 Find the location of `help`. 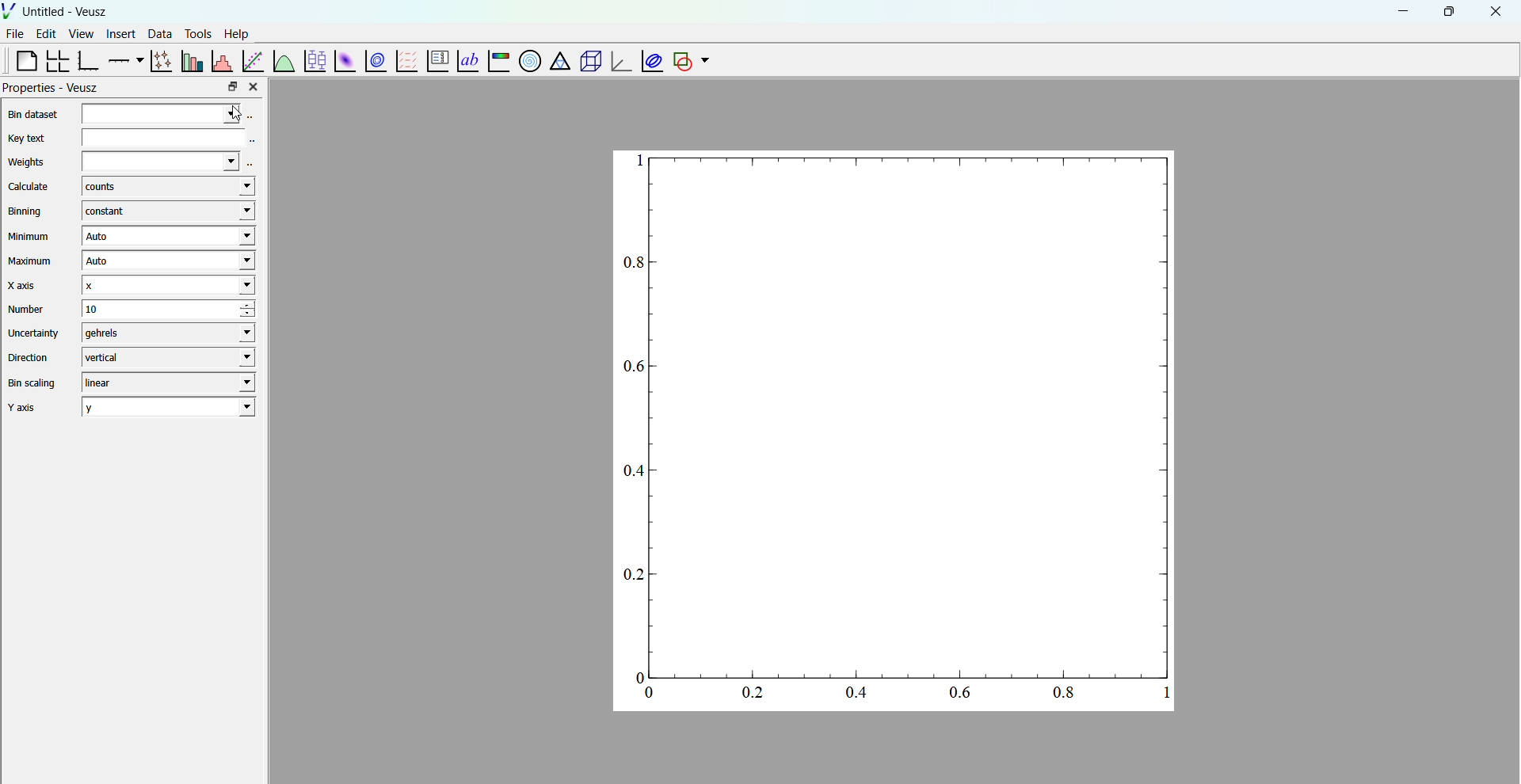

help is located at coordinates (237, 32).